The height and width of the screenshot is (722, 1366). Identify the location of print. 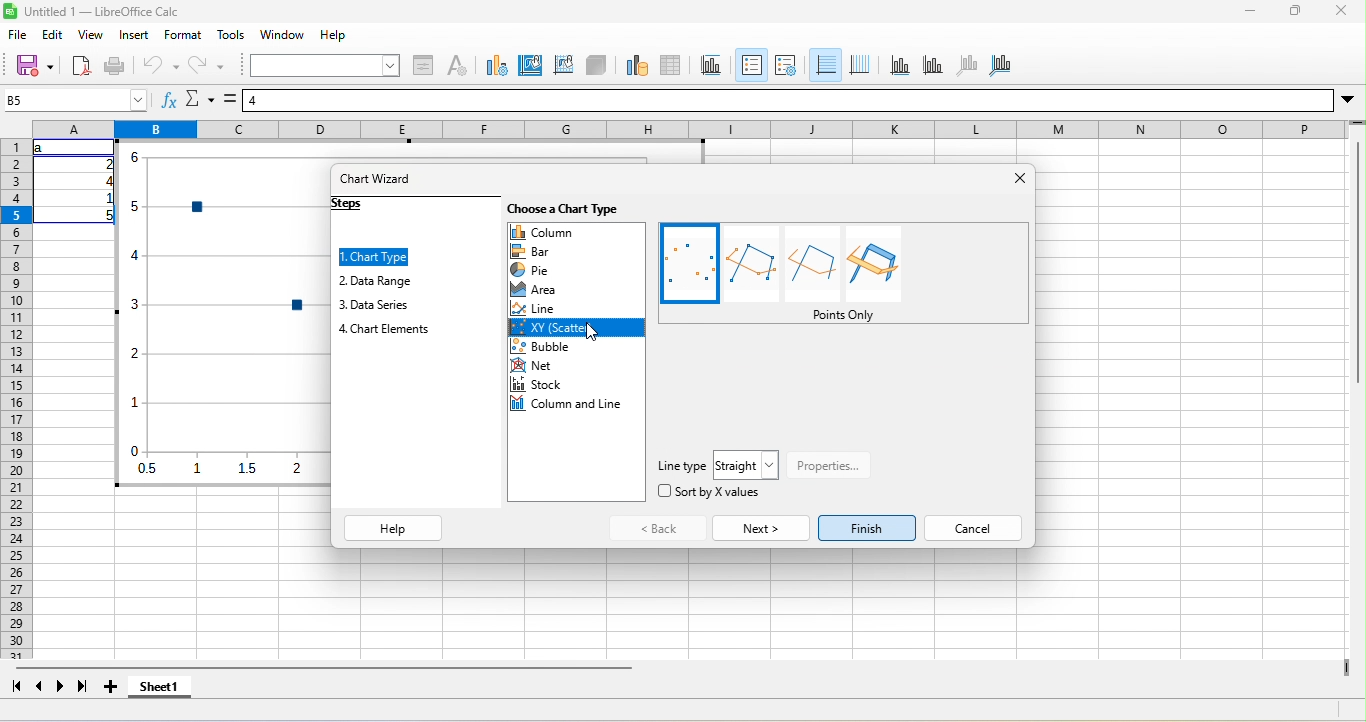
(116, 66).